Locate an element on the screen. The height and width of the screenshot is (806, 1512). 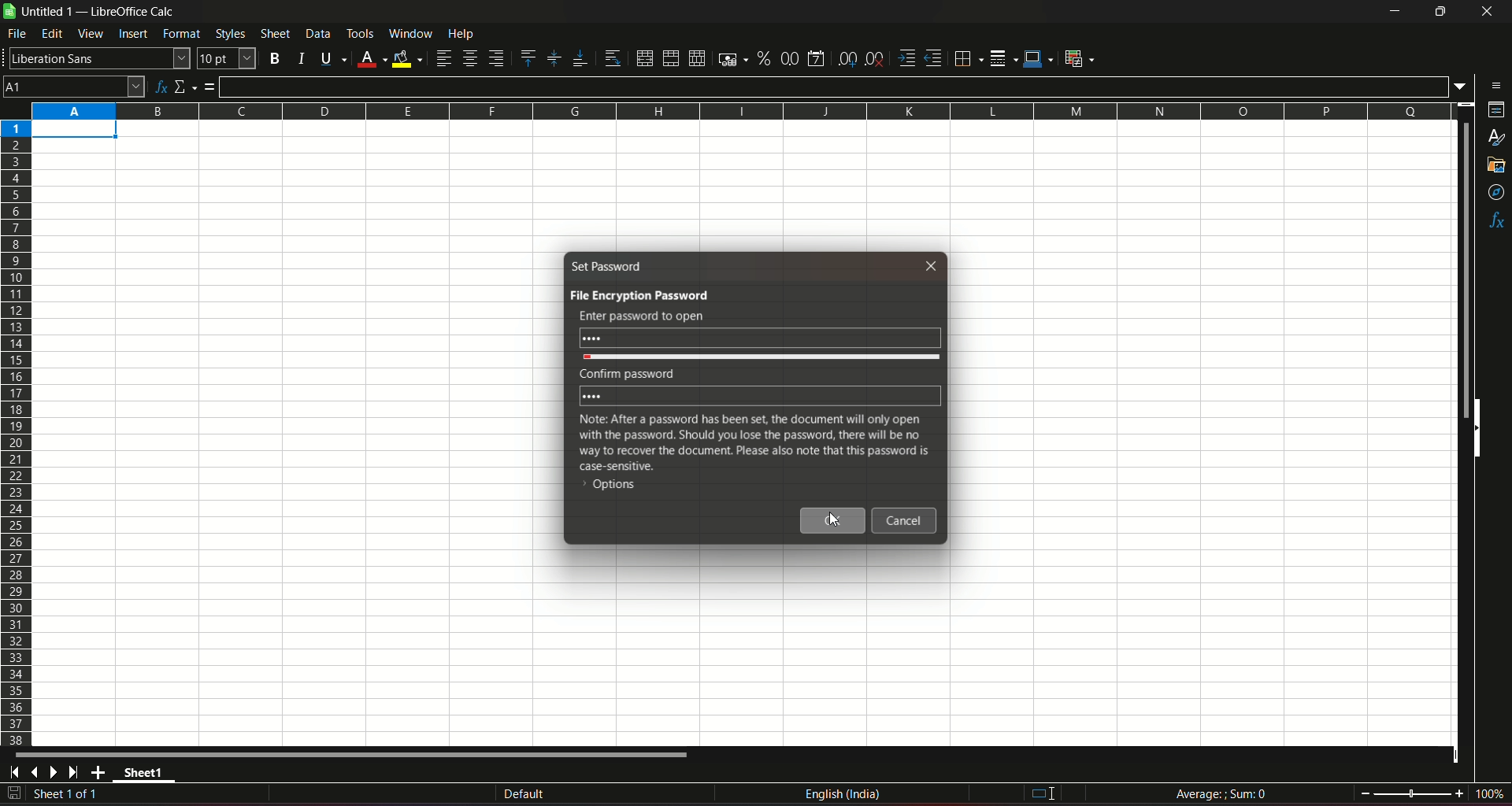
merge cells is located at coordinates (671, 57).